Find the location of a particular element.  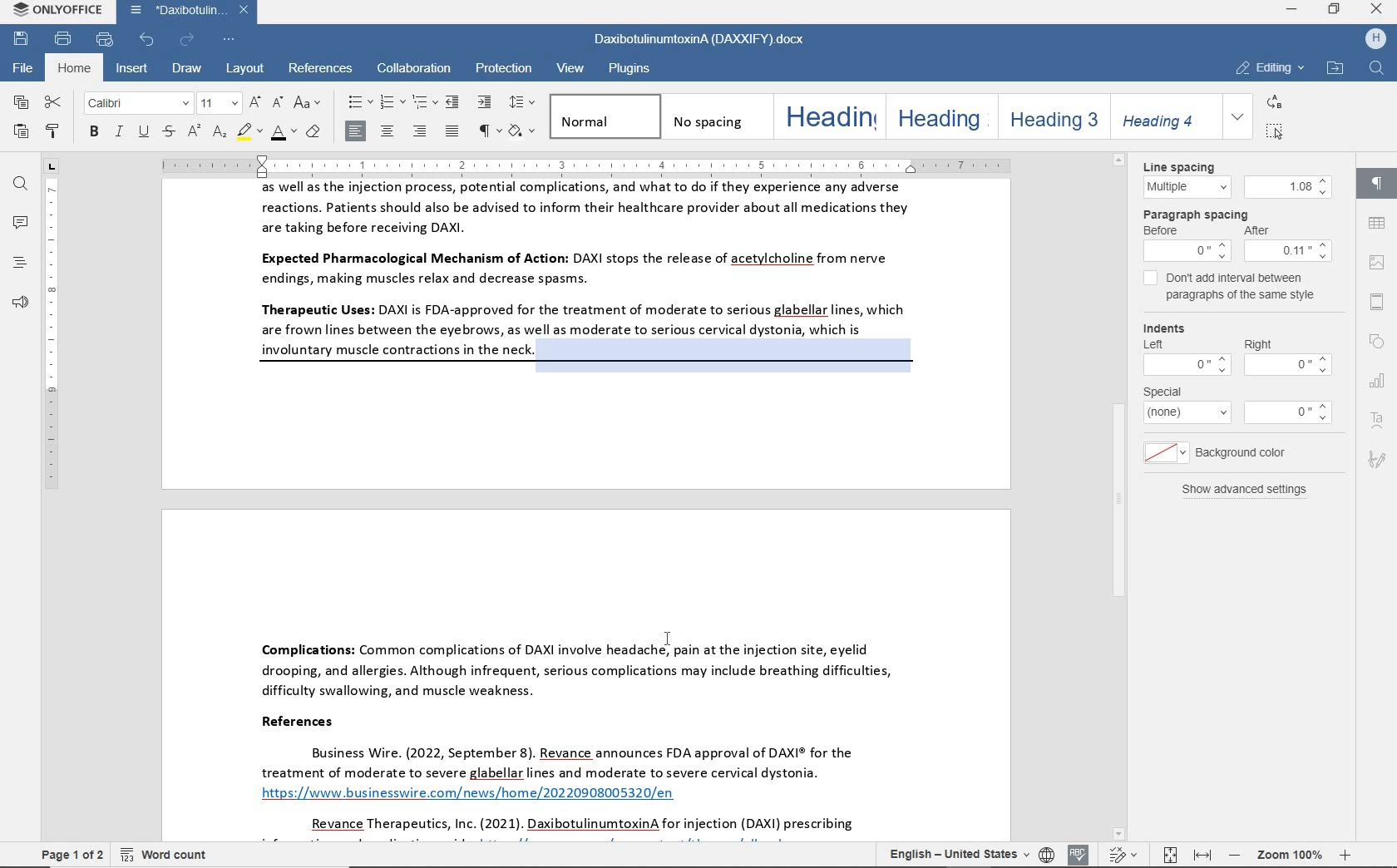

editing is located at coordinates (1270, 68).